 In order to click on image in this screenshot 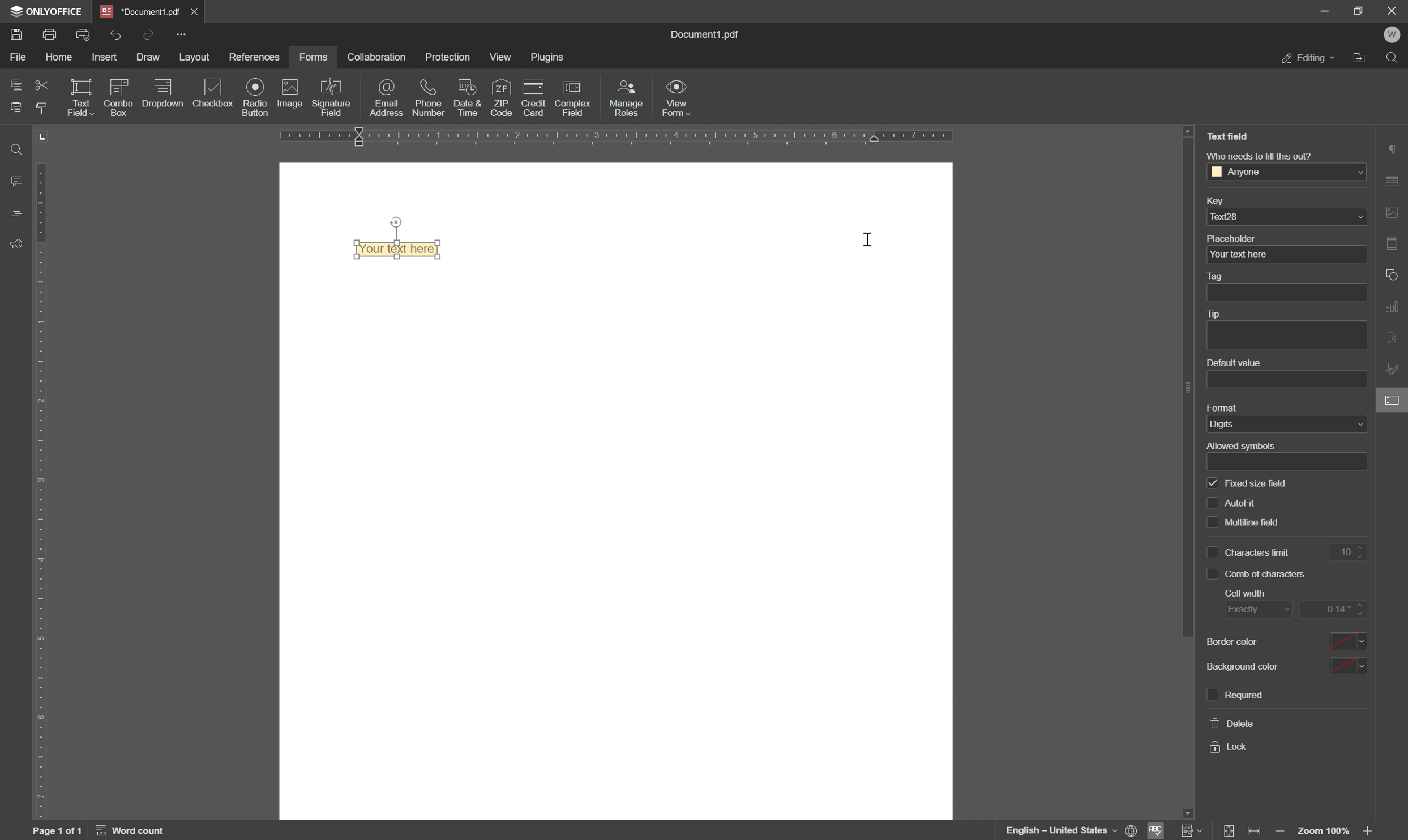, I will do `click(292, 95)`.